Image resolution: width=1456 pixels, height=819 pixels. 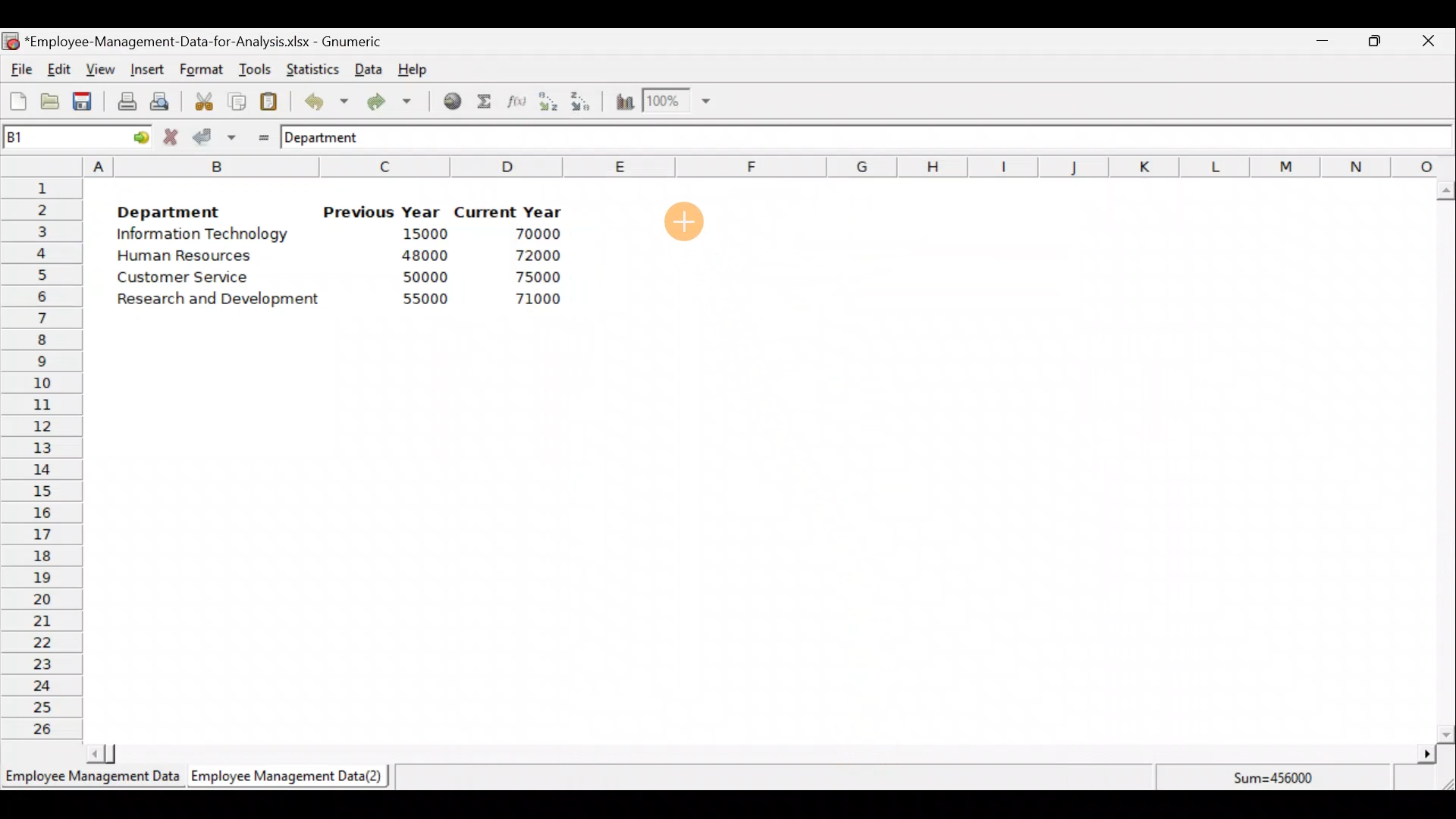 What do you see at coordinates (331, 136) in the screenshot?
I see `Department` at bounding box center [331, 136].